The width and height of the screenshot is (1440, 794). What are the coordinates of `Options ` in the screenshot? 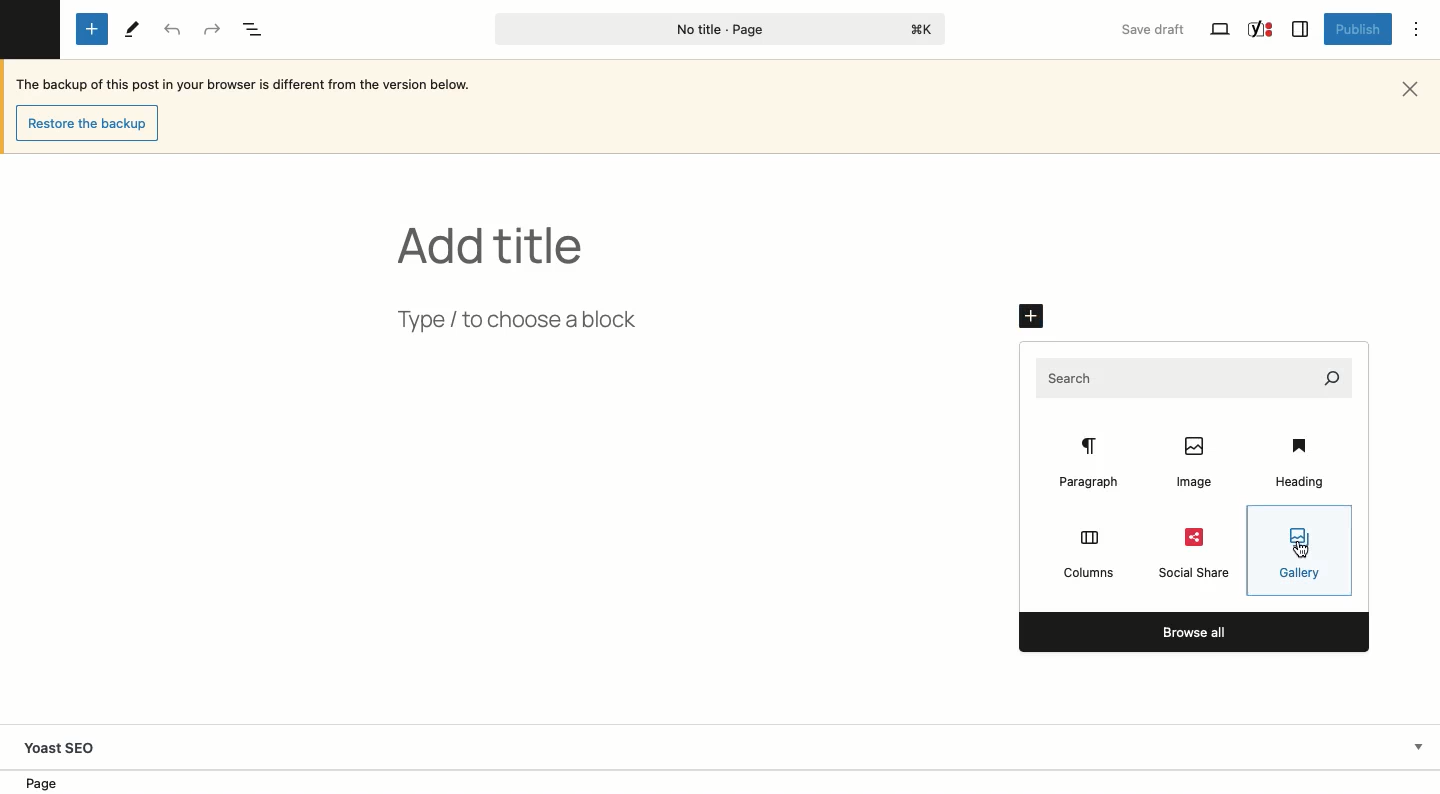 It's located at (1417, 31).